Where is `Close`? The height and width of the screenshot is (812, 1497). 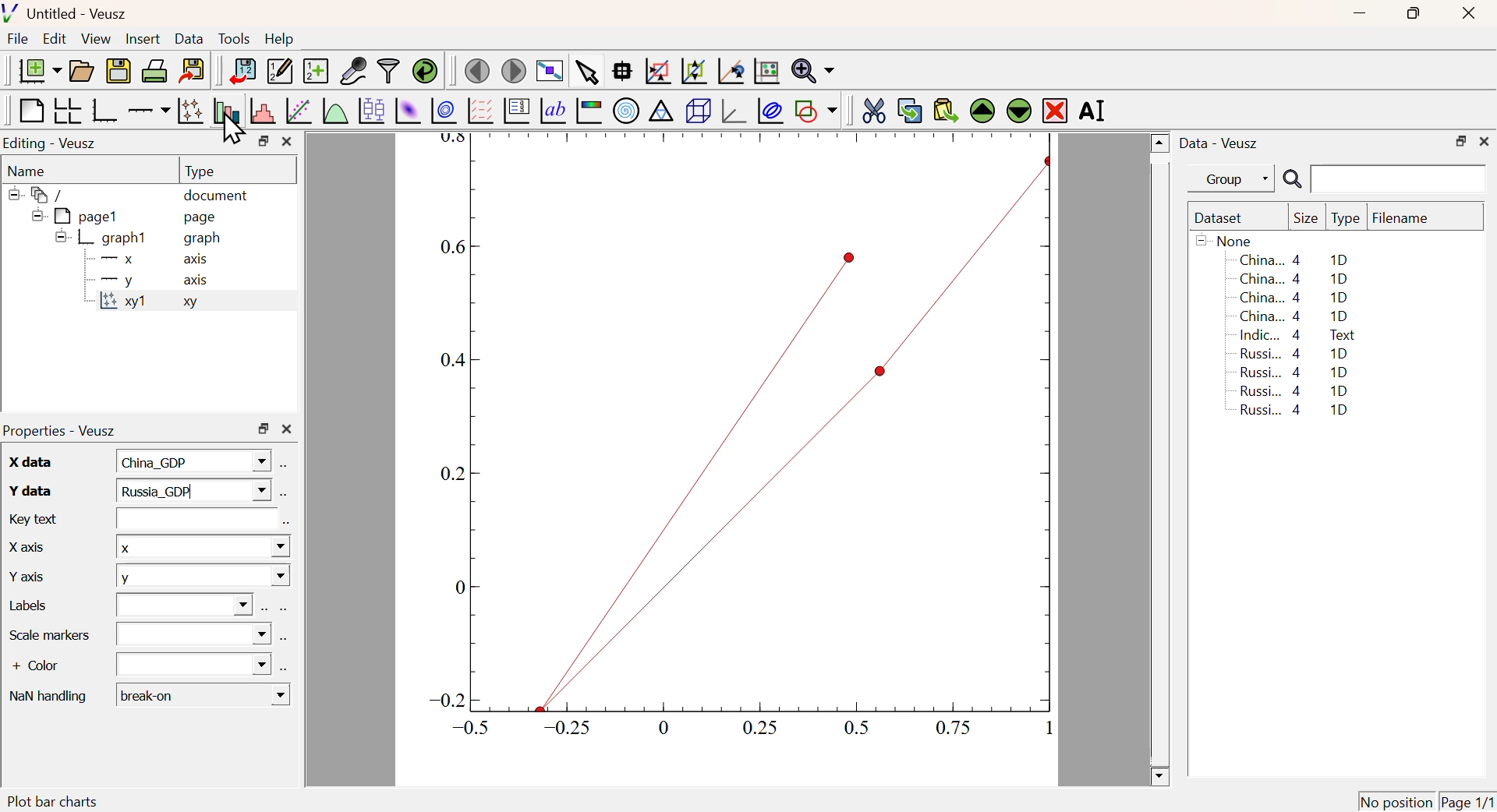 Close is located at coordinates (1466, 15).